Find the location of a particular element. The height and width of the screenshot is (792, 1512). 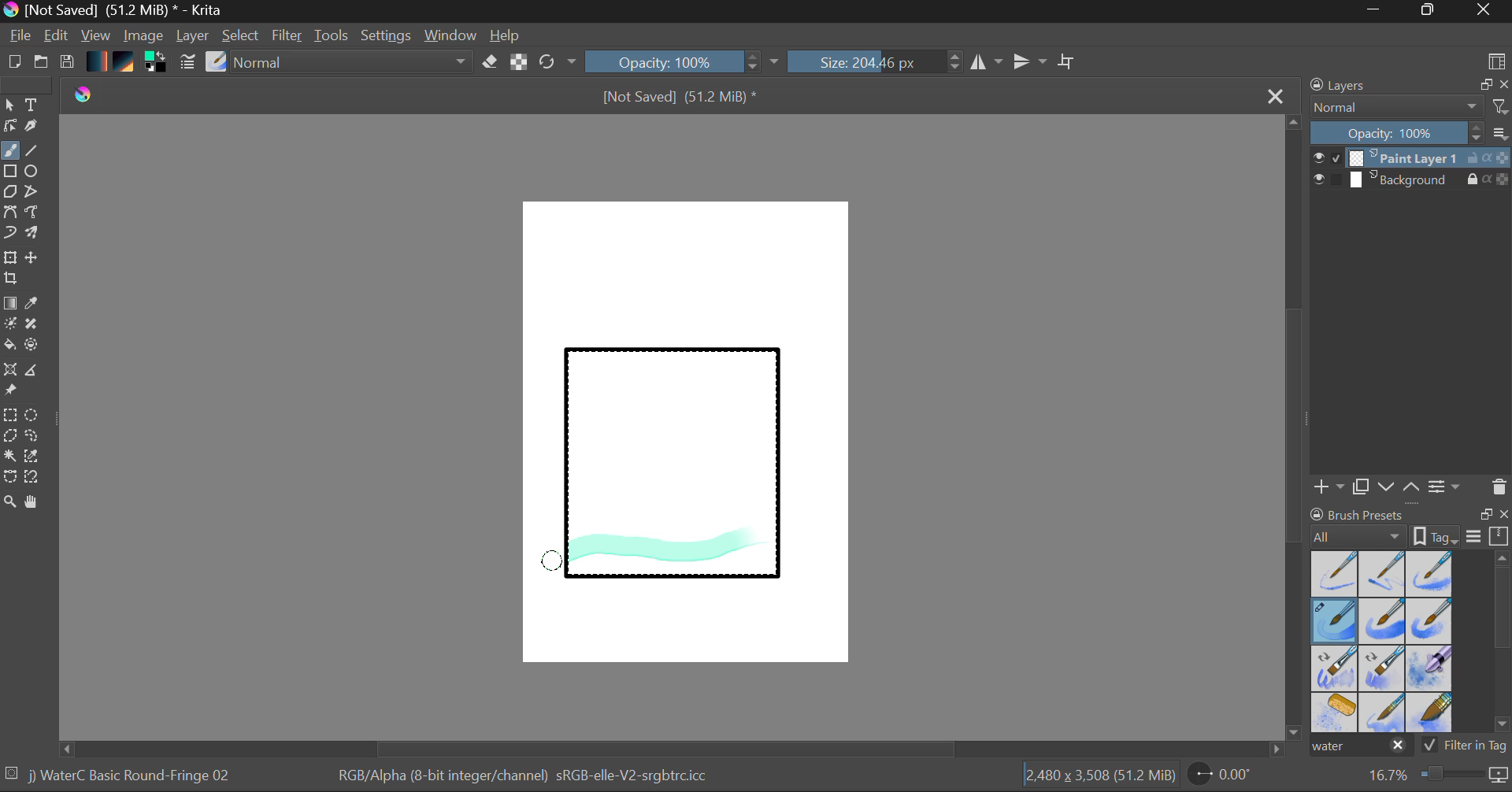

Smart Assistant is located at coordinates (9, 372).